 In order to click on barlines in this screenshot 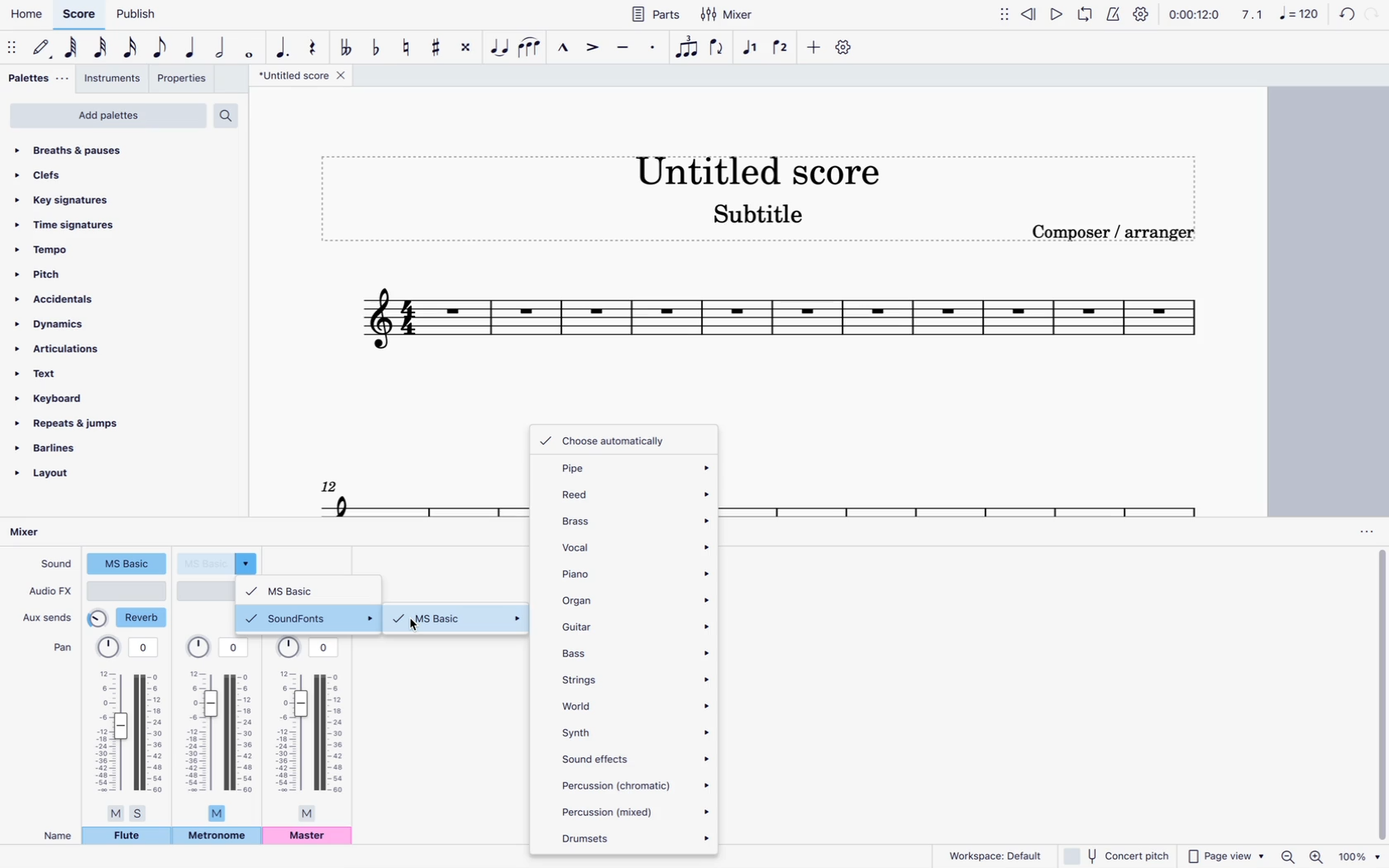, I will do `click(79, 447)`.